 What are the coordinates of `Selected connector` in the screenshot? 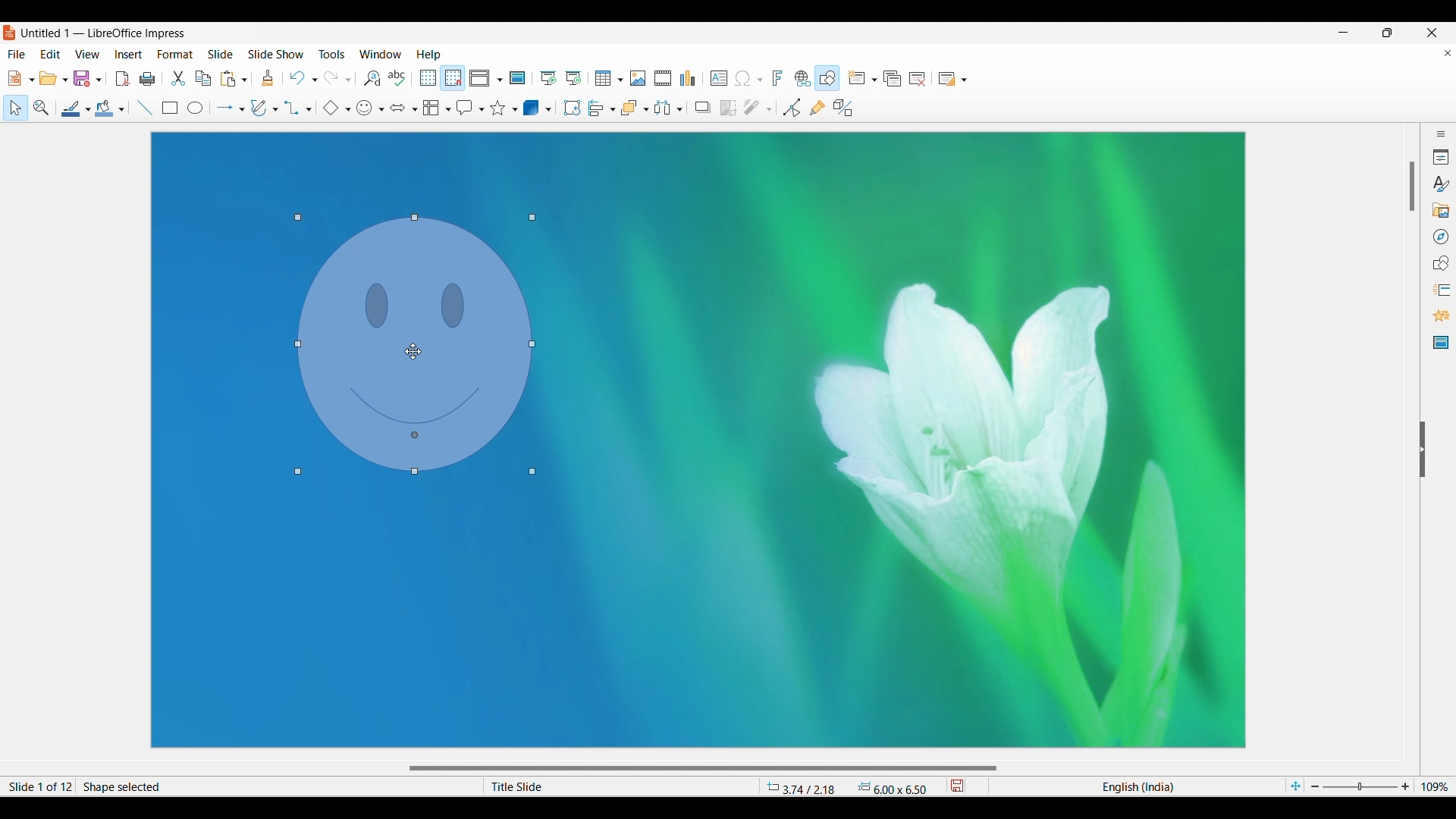 It's located at (293, 108).